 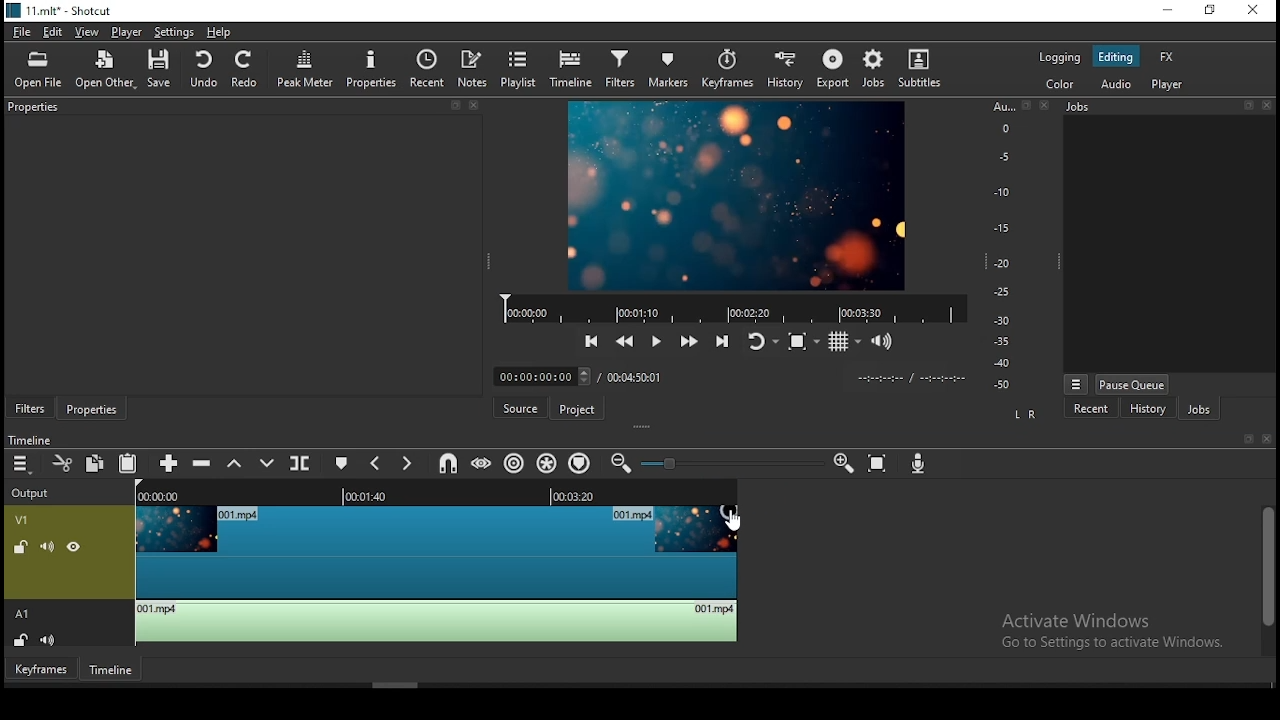 What do you see at coordinates (834, 66) in the screenshot?
I see `export` at bounding box center [834, 66].